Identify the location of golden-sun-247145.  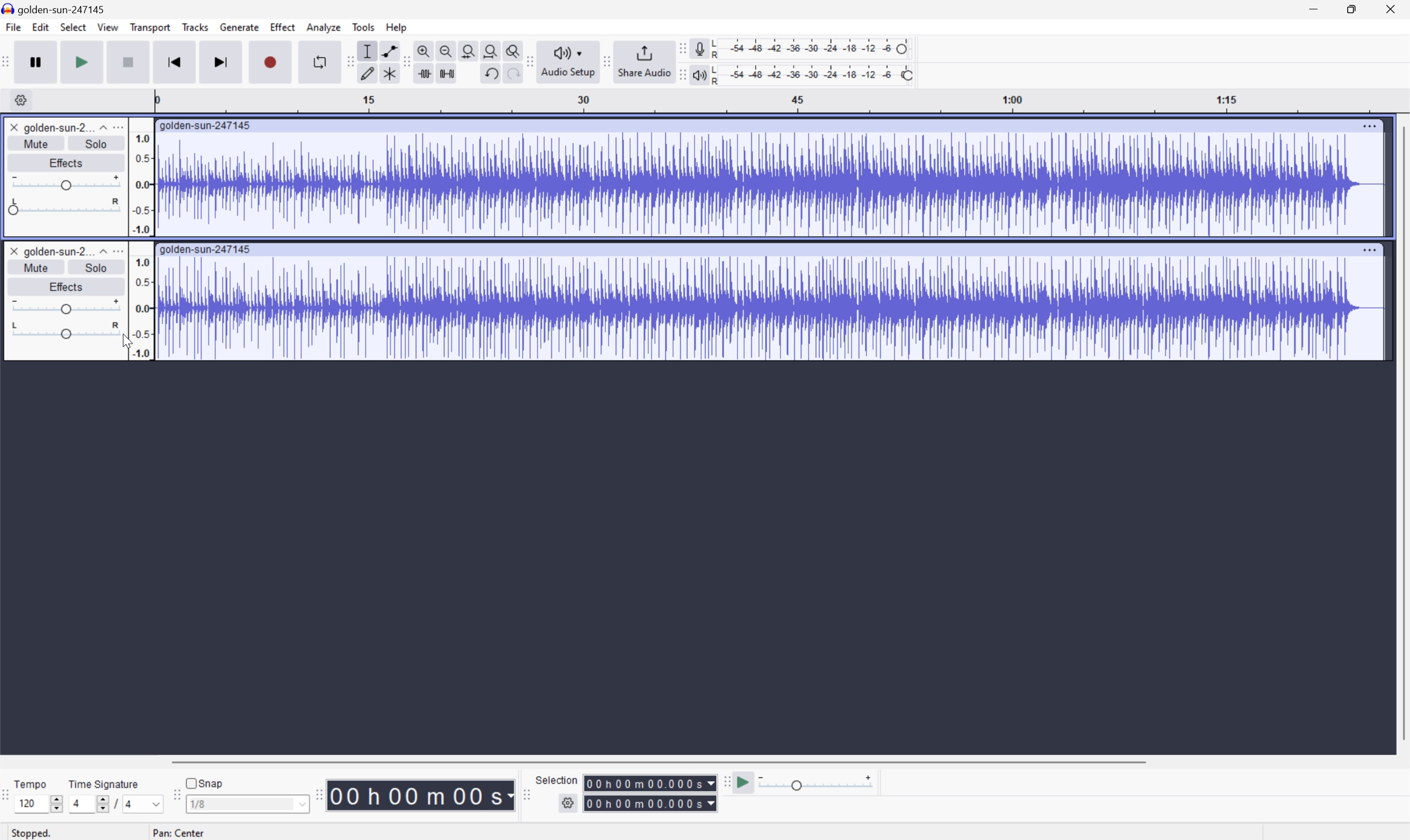
(57, 8).